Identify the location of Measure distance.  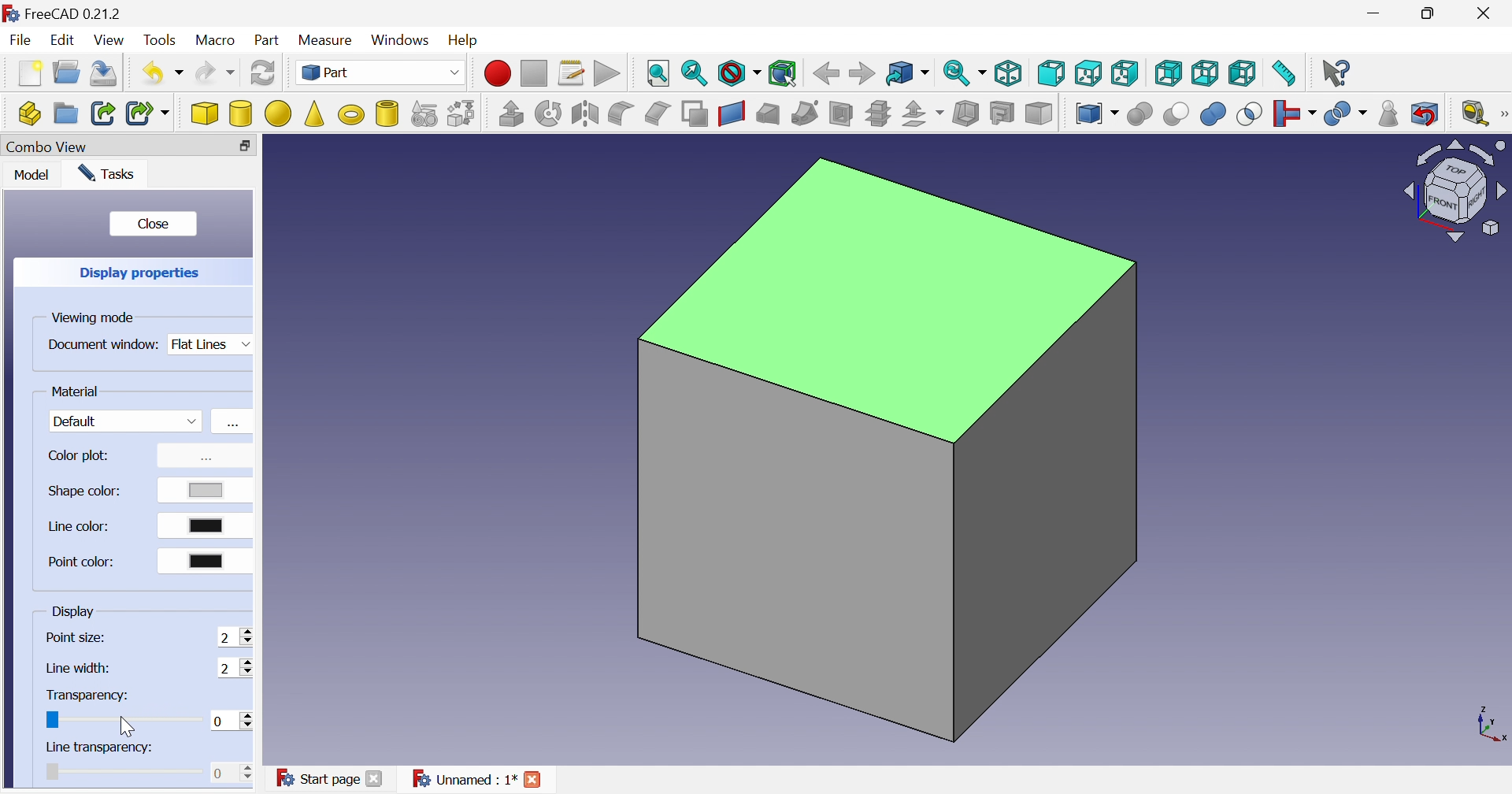
(1284, 76).